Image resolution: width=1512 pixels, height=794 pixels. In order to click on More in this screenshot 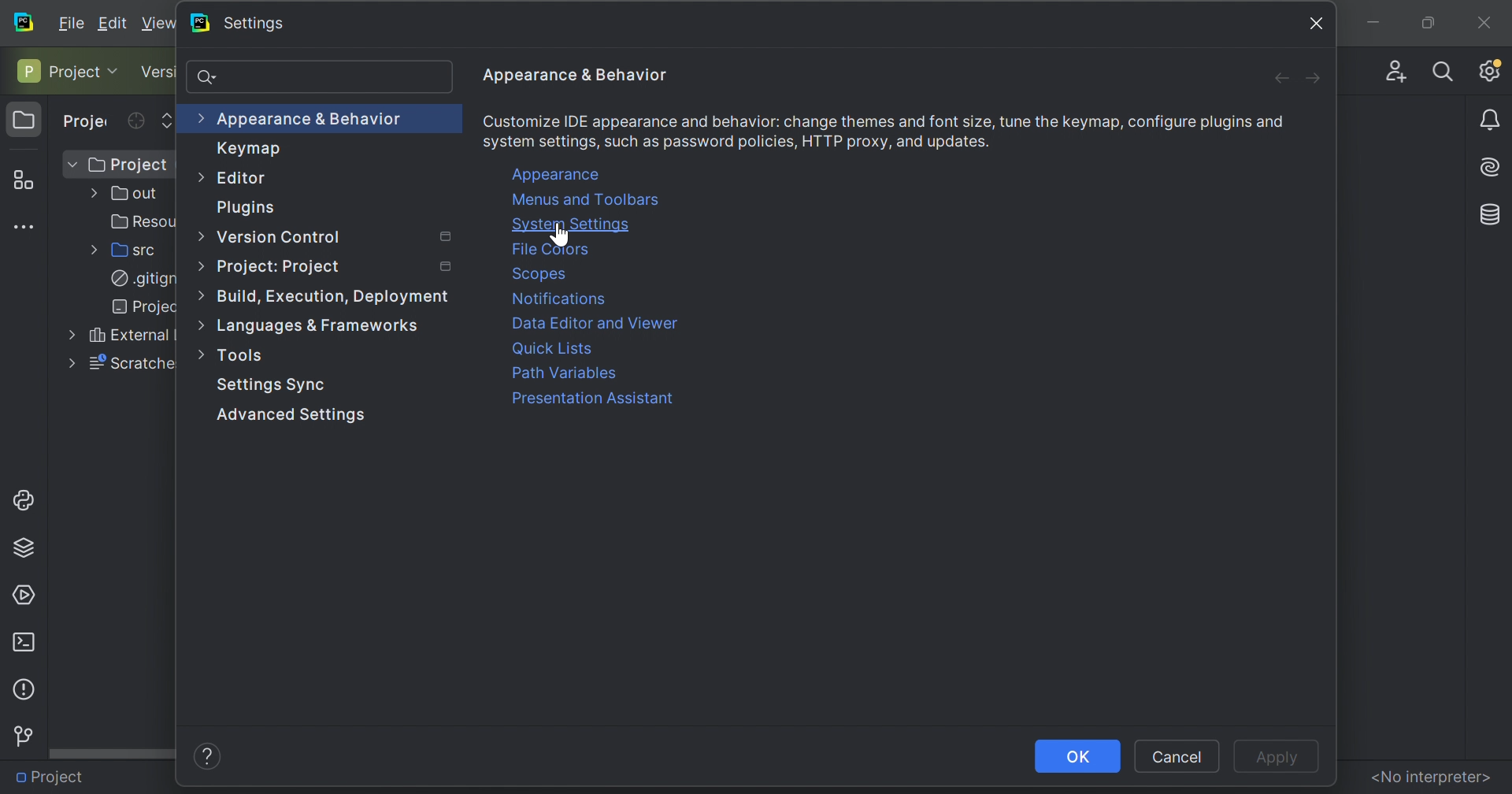, I will do `click(67, 364)`.